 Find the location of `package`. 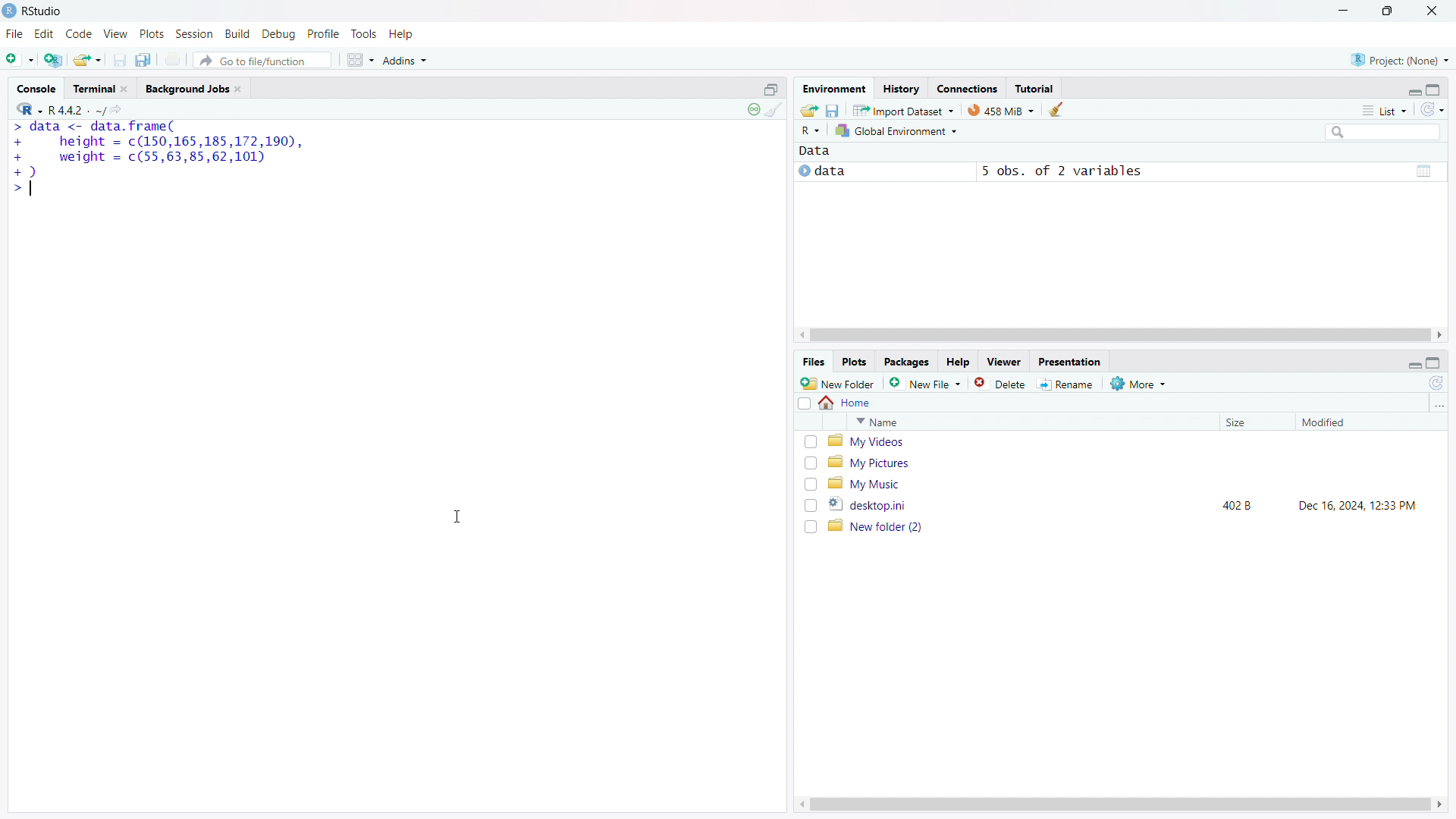

package is located at coordinates (906, 362).